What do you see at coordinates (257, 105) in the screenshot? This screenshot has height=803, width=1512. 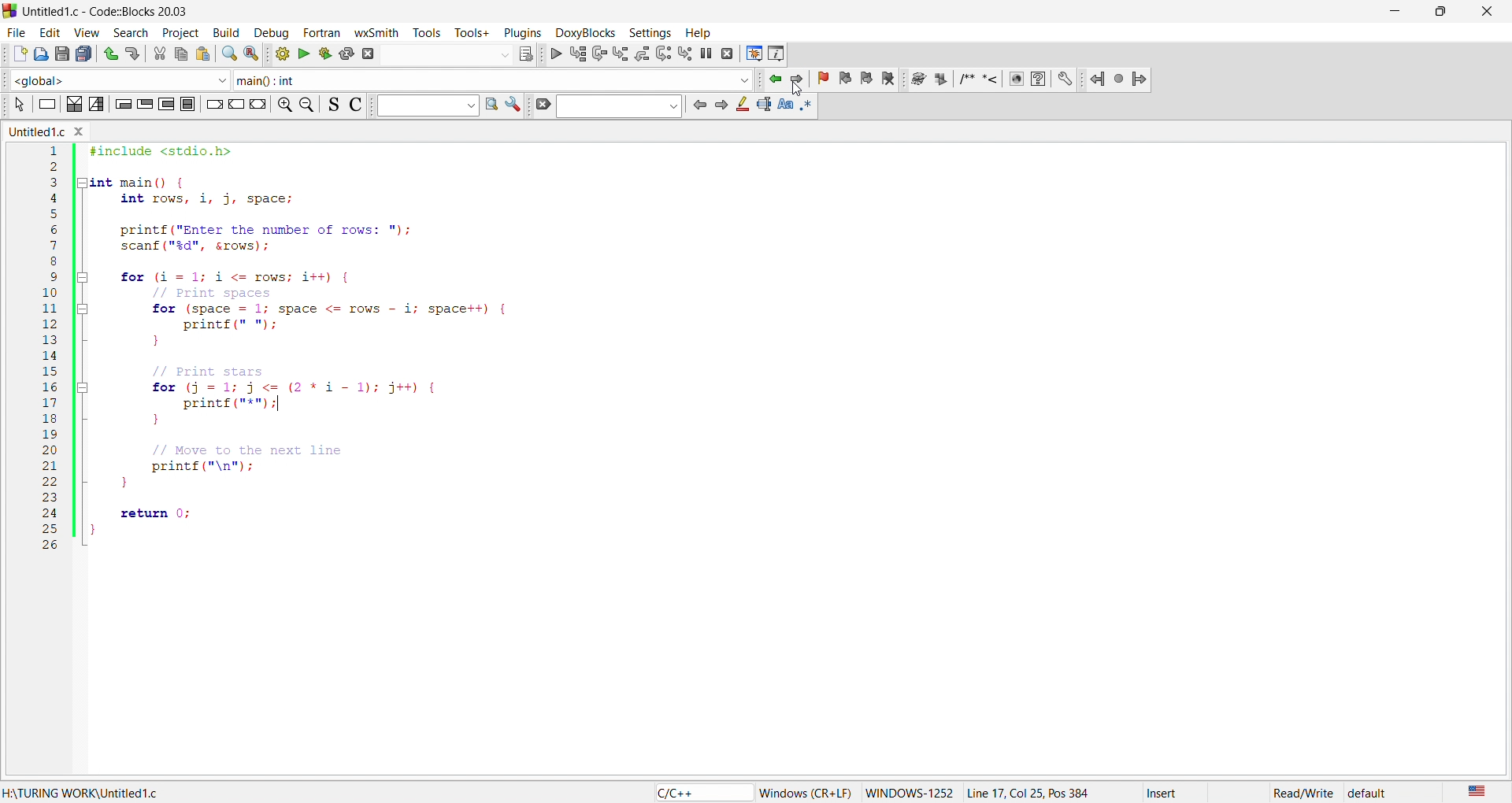 I see `icon` at bounding box center [257, 105].